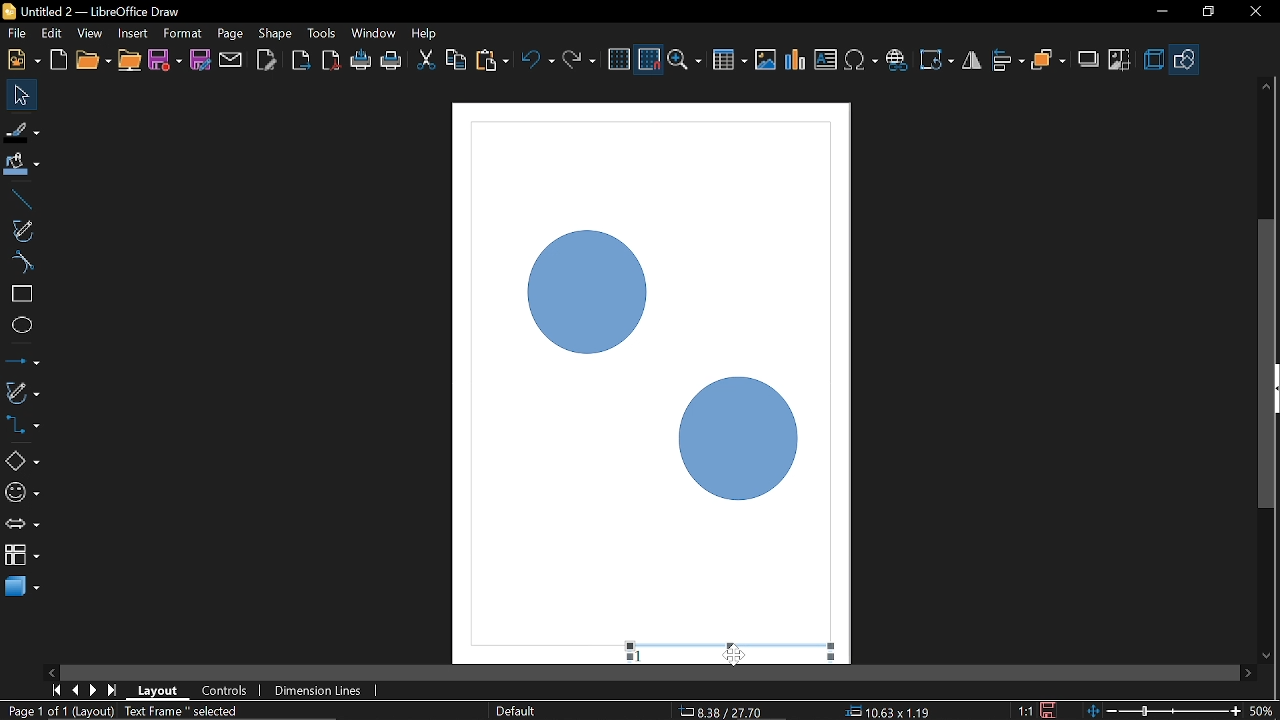  I want to click on go to first page, so click(58, 689).